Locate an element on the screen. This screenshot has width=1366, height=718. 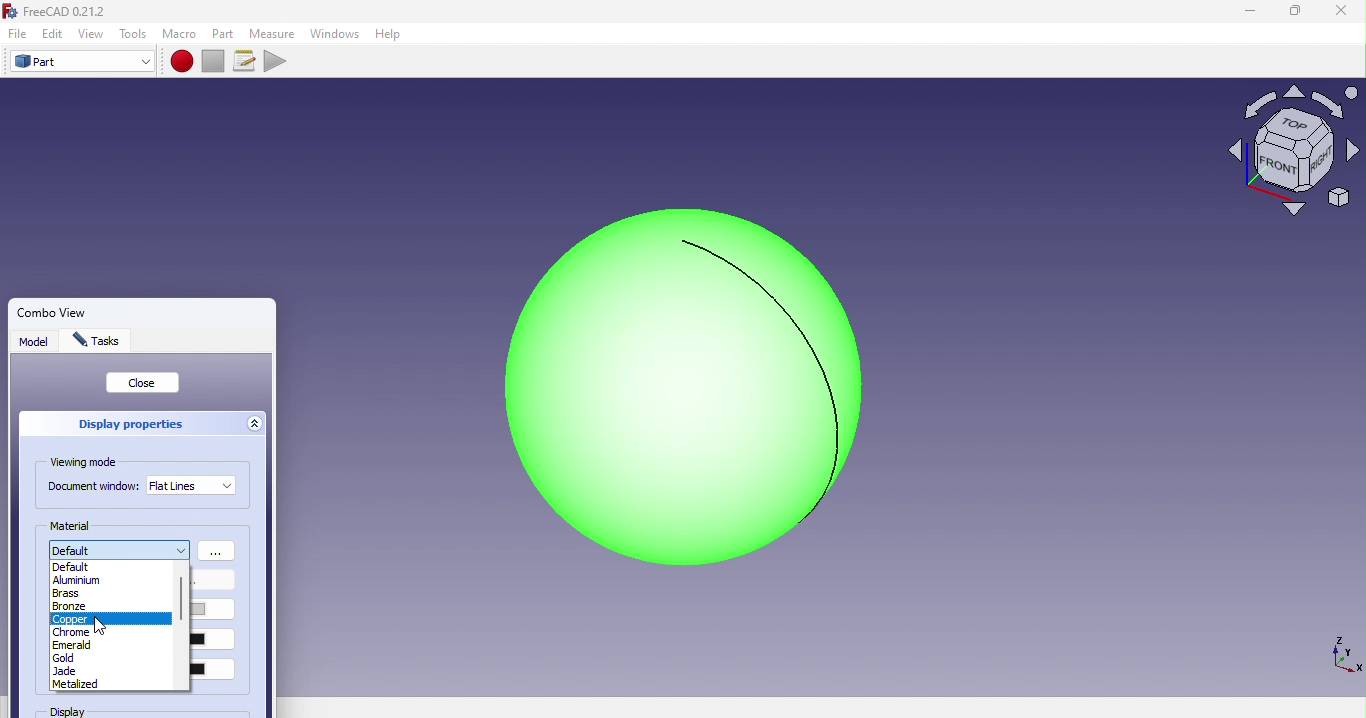
Emerald is located at coordinates (75, 646).